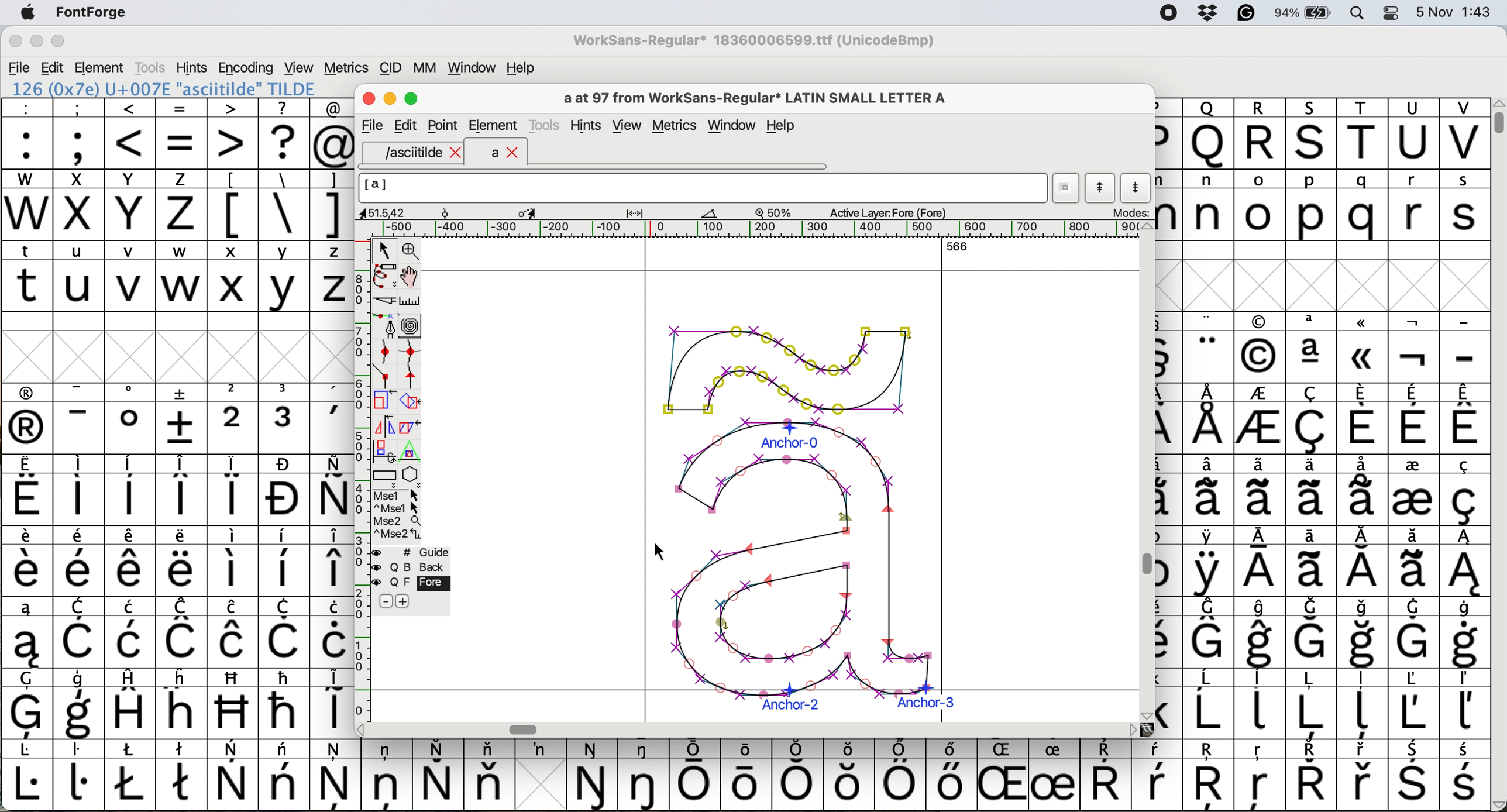  Describe the element at coordinates (20, 68) in the screenshot. I see `file` at that location.